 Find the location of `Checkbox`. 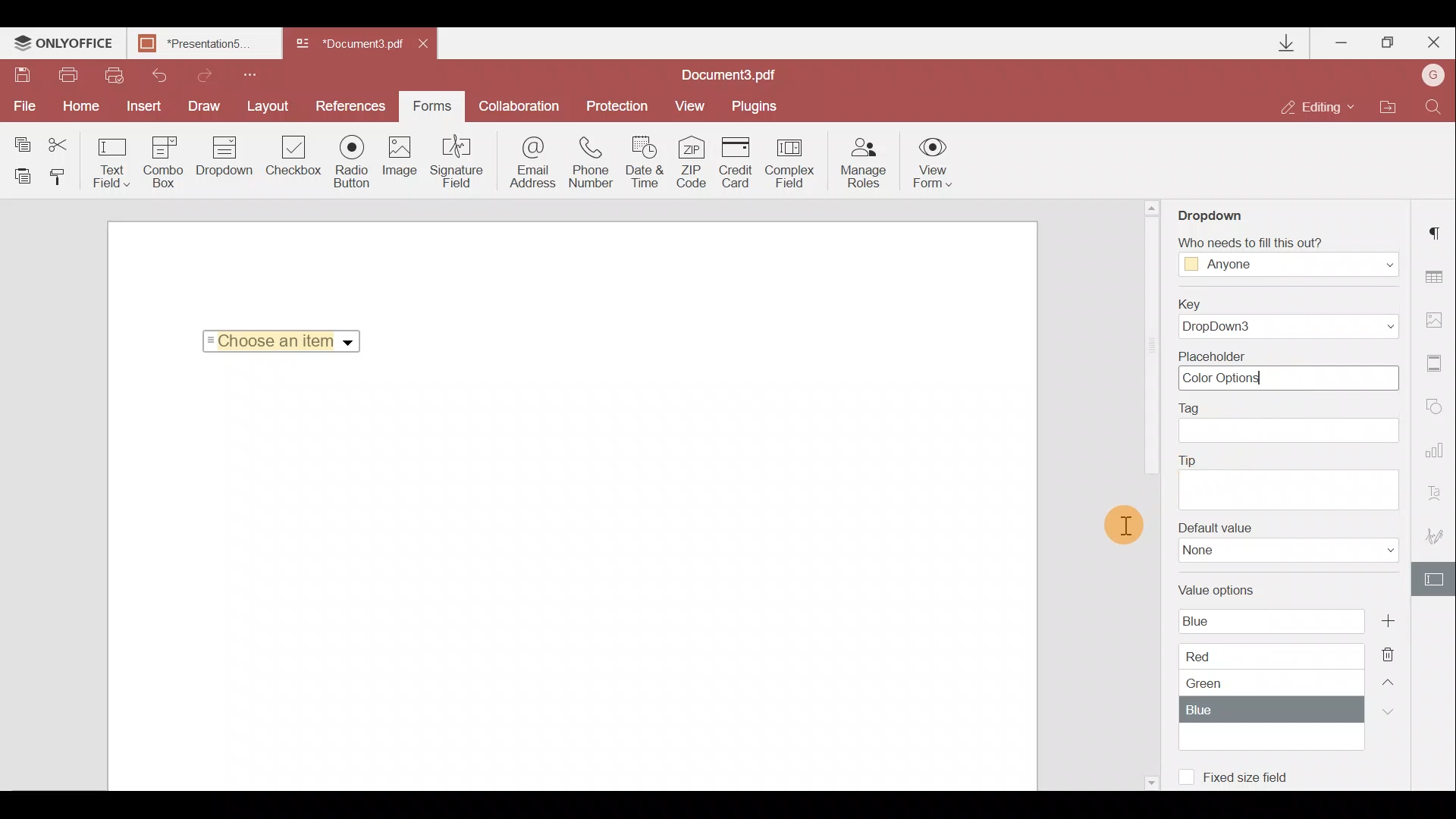

Checkbox is located at coordinates (294, 157).